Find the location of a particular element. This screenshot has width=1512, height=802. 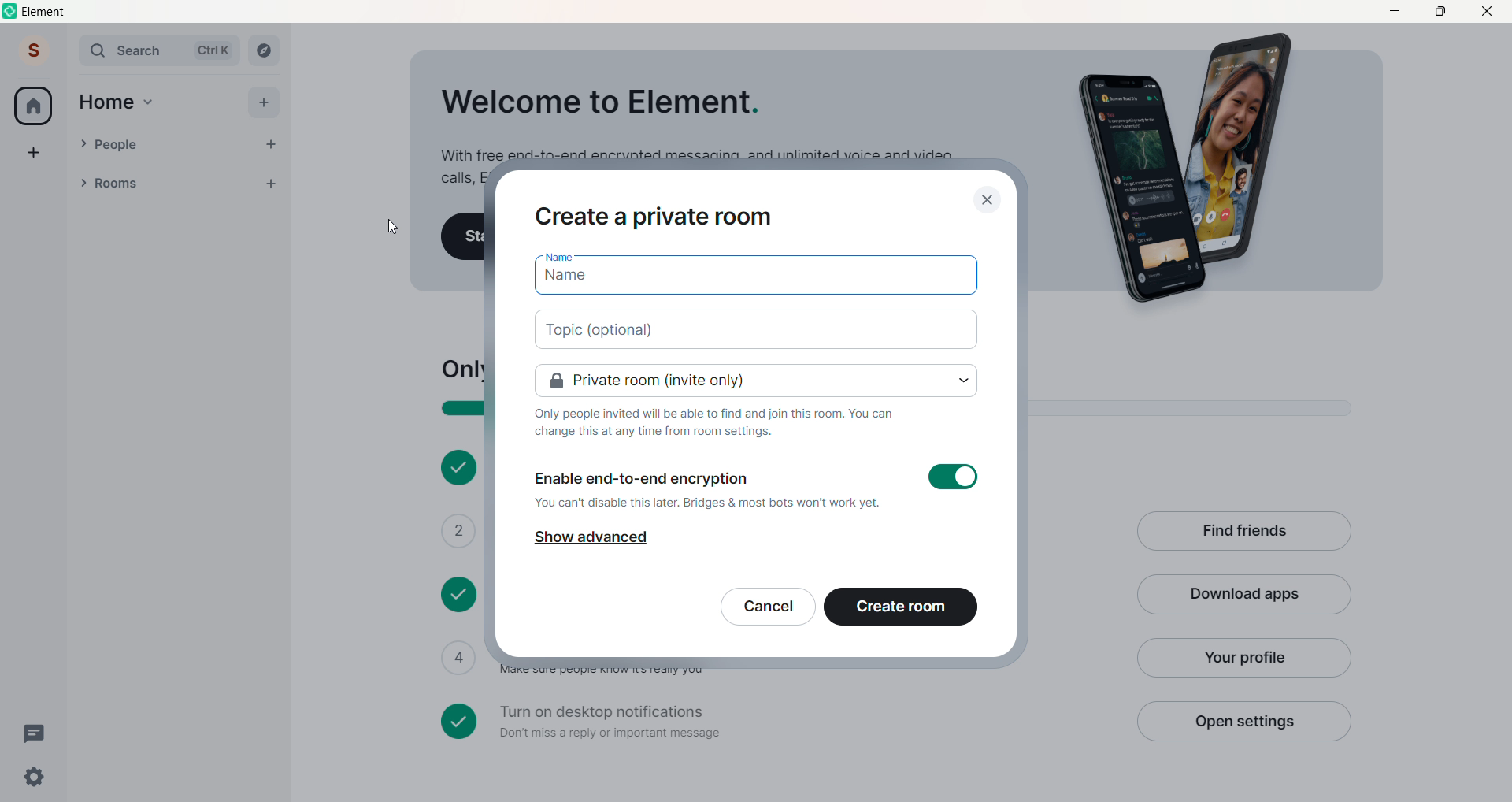

Only people invited will be able to find and join this room. You can
change this at any time from room settings. is located at coordinates (715, 422).